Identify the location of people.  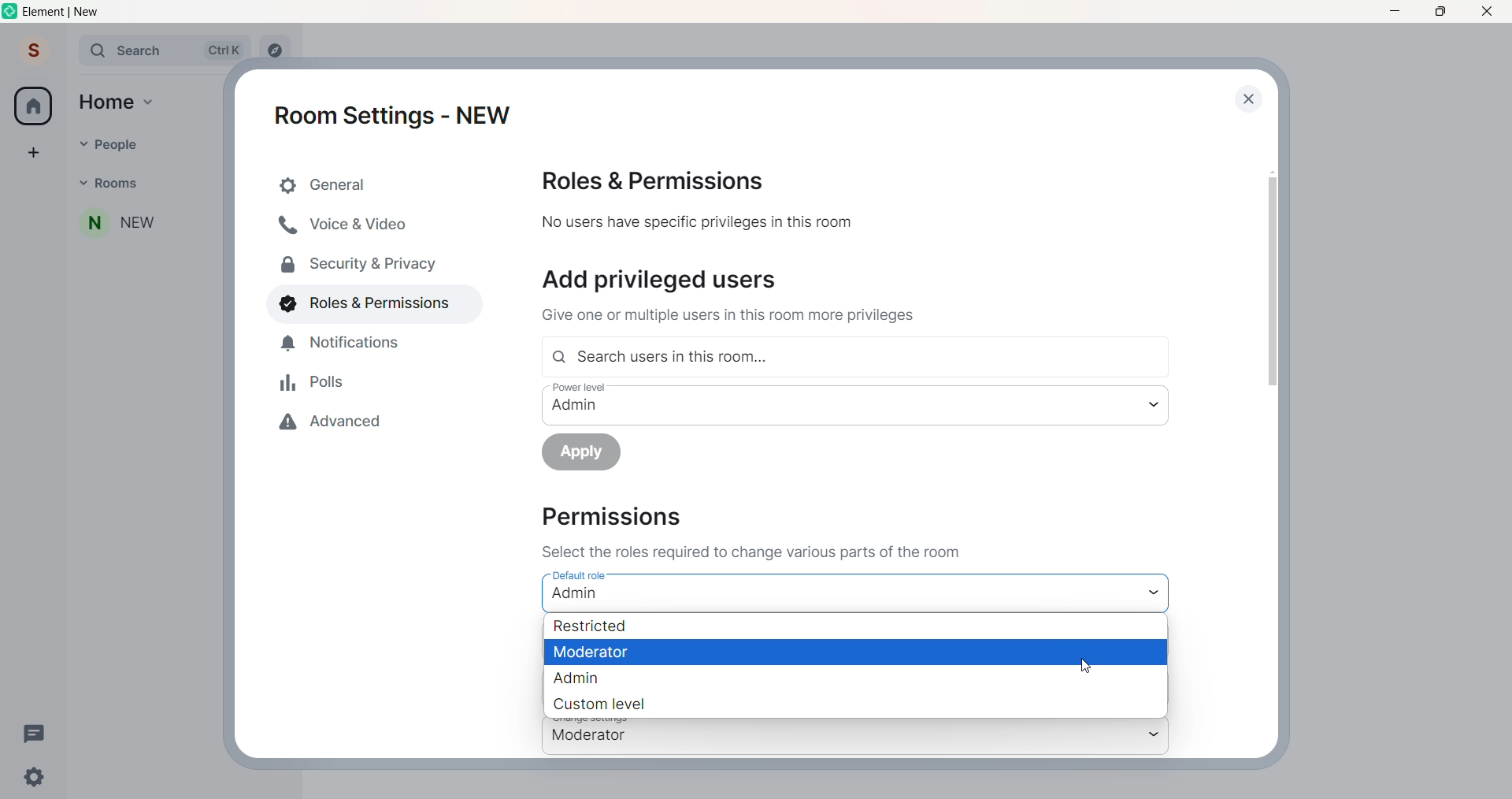
(106, 144).